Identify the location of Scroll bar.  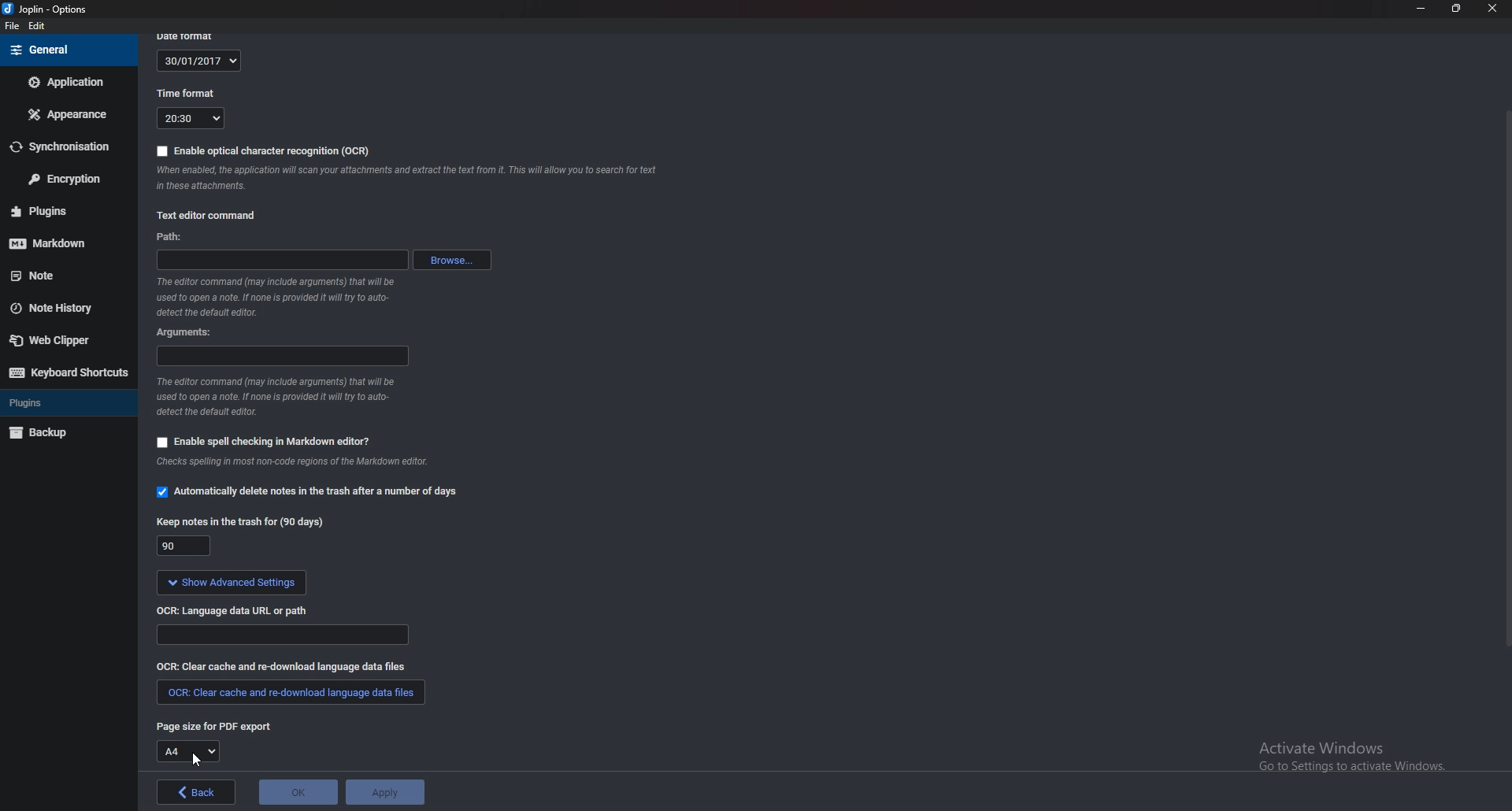
(1506, 379).